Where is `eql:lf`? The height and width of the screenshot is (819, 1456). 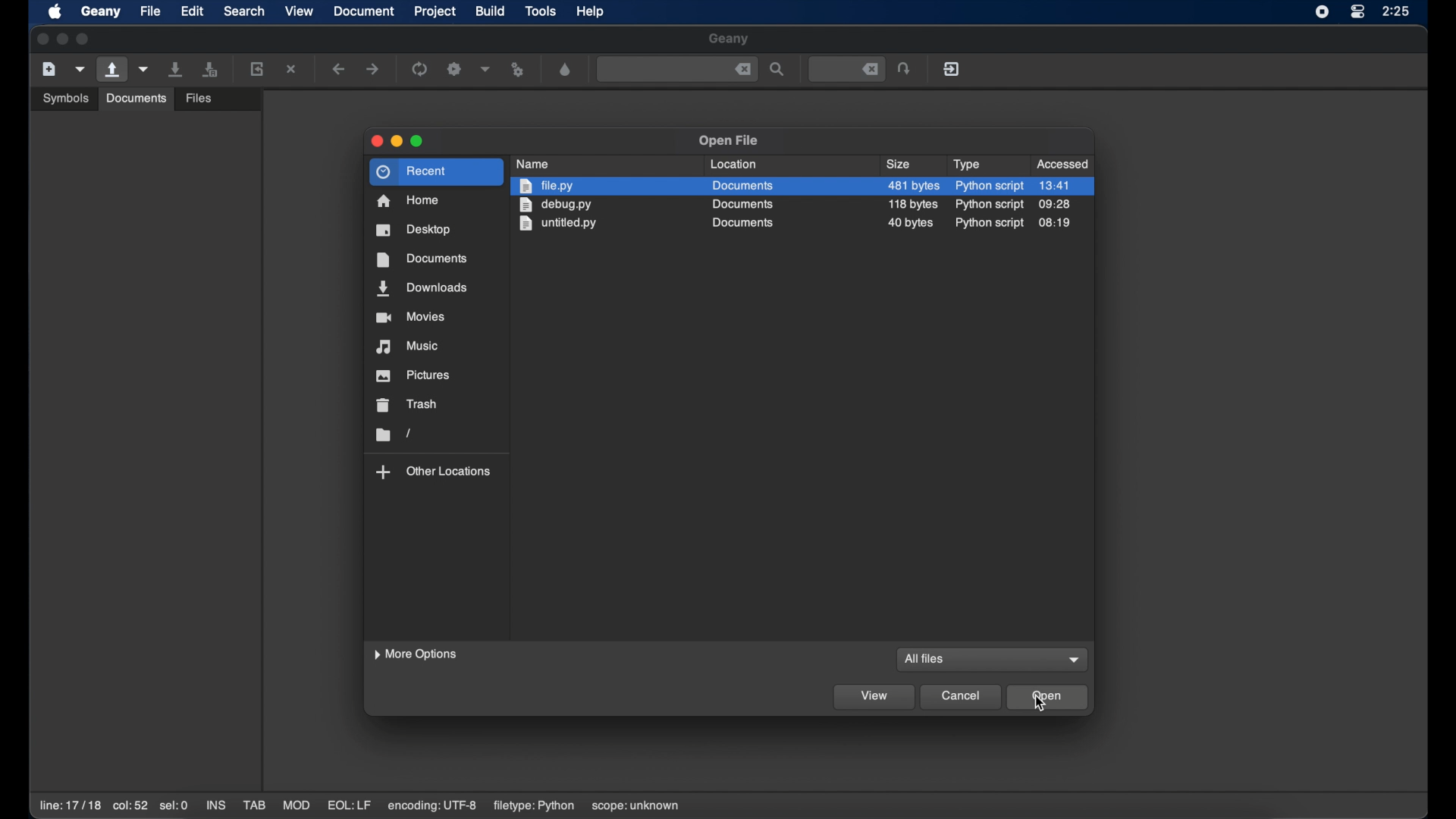 eql:lf is located at coordinates (350, 805).